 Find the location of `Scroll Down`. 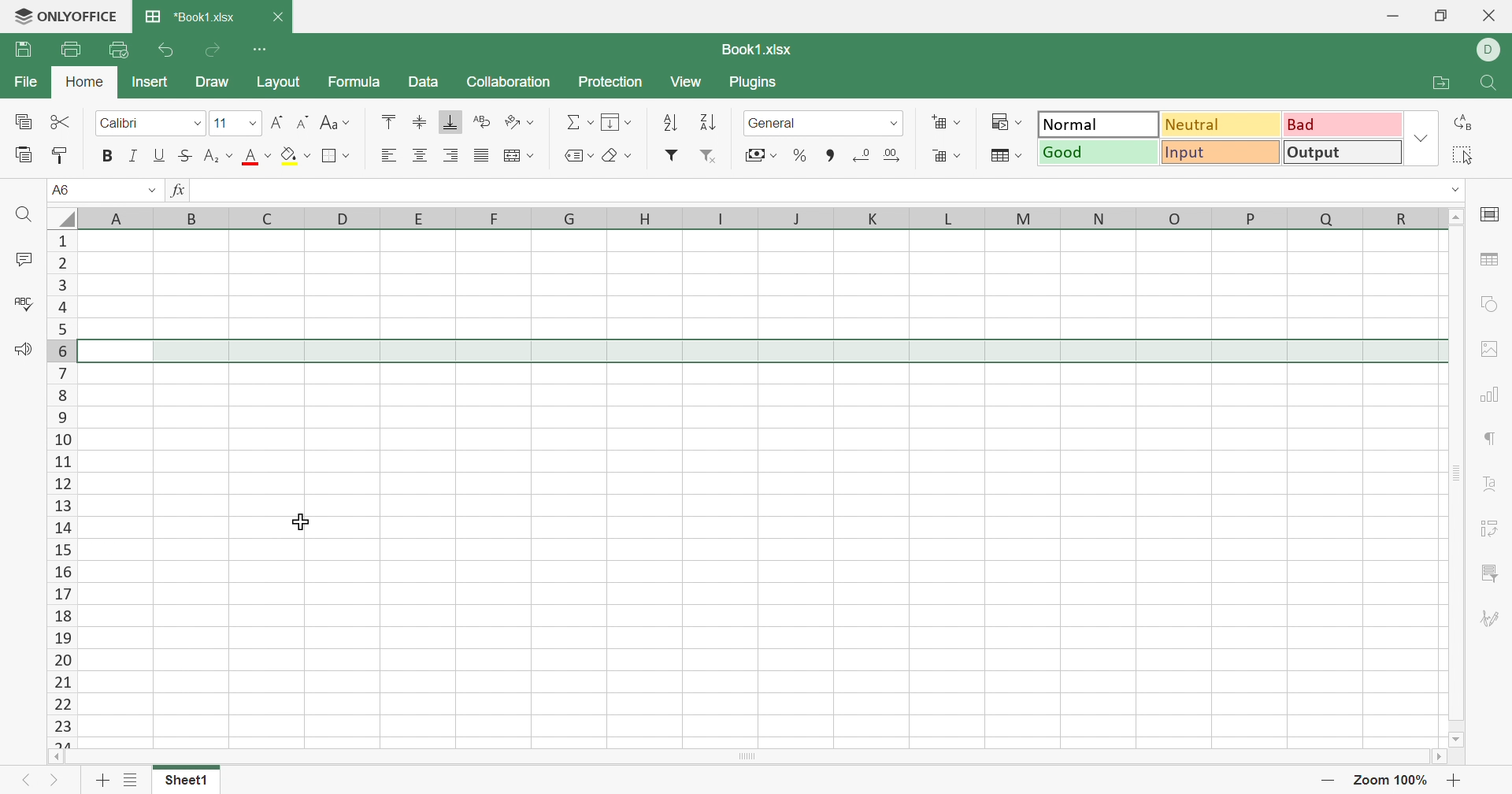

Scroll Down is located at coordinates (1459, 740).